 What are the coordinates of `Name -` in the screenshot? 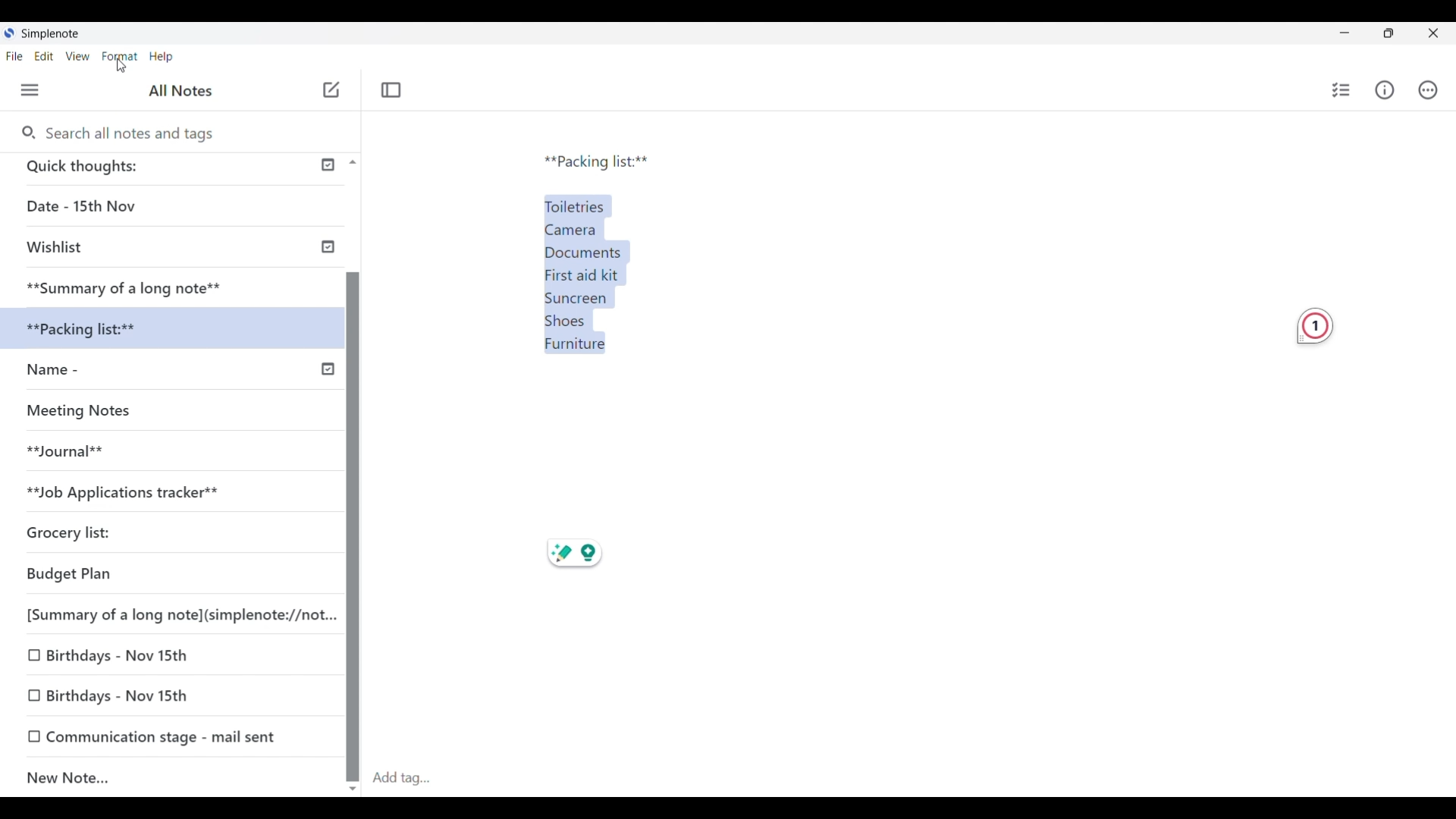 It's located at (85, 372).